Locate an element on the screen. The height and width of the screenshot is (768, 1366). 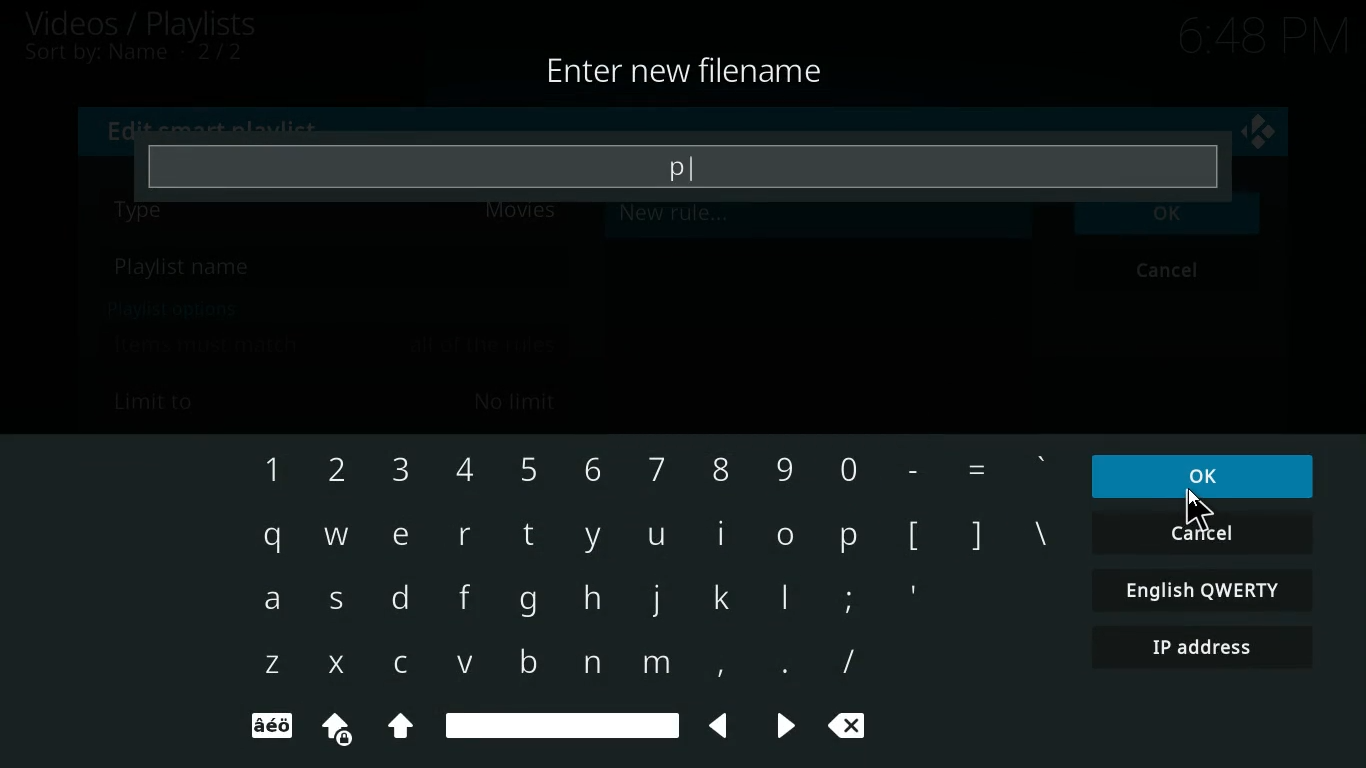
i is located at coordinates (723, 534).